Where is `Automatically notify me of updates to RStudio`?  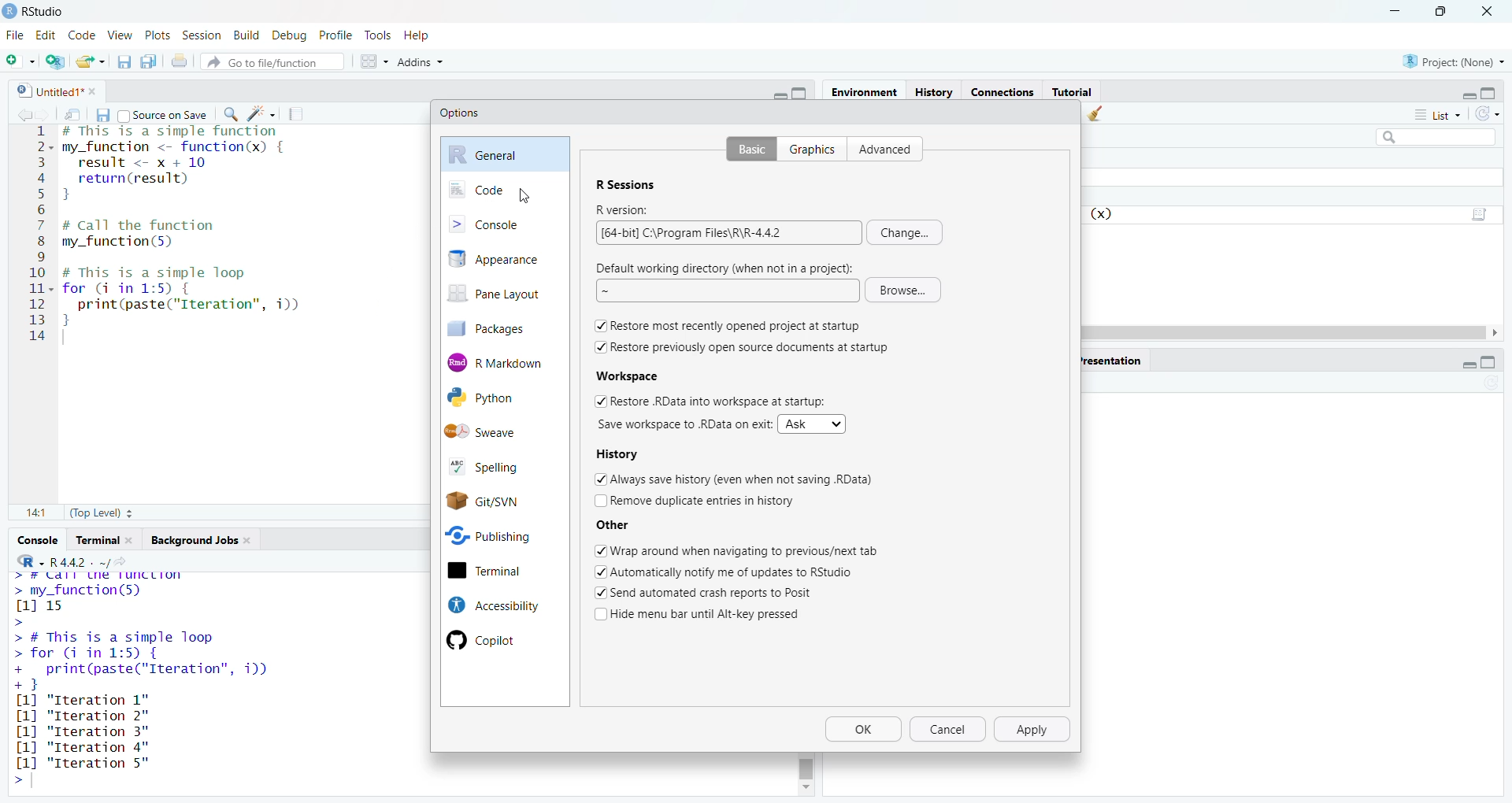 Automatically notify me of updates to RStudio is located at coordinates (723, 570).